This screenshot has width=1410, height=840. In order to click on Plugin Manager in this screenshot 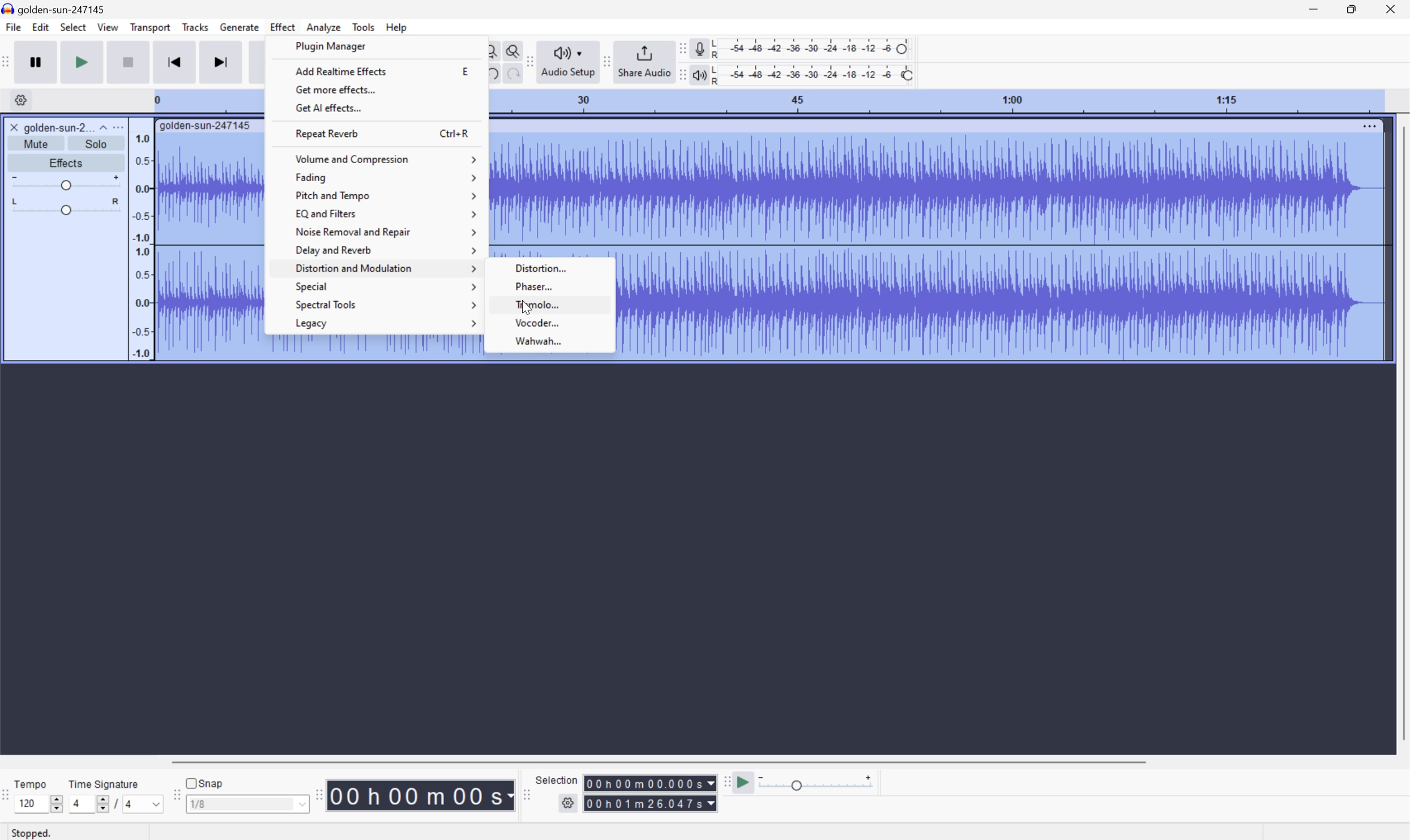, I will do `click(331, 46)`.